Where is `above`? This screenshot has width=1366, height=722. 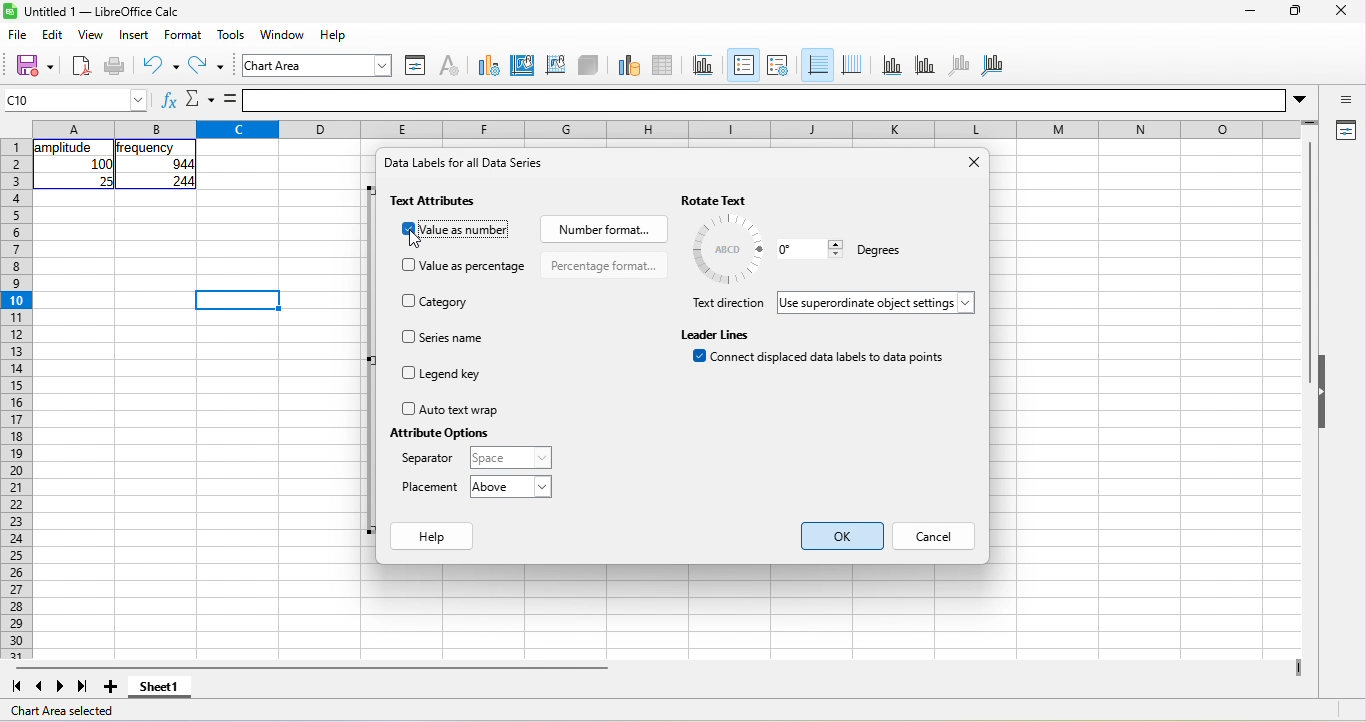 above is located at coordinates (510, 487).